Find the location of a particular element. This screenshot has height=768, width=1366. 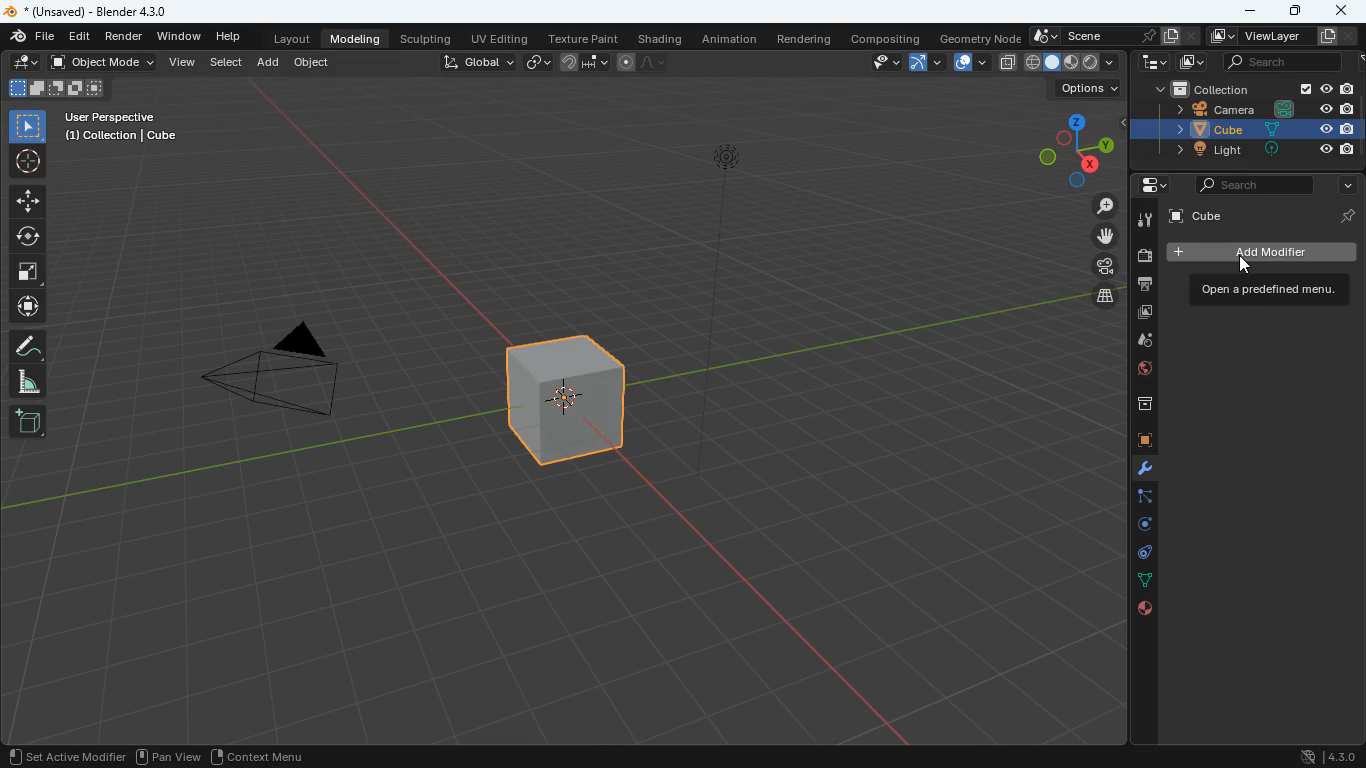

modifiers is located at coordinates (1141, 472).